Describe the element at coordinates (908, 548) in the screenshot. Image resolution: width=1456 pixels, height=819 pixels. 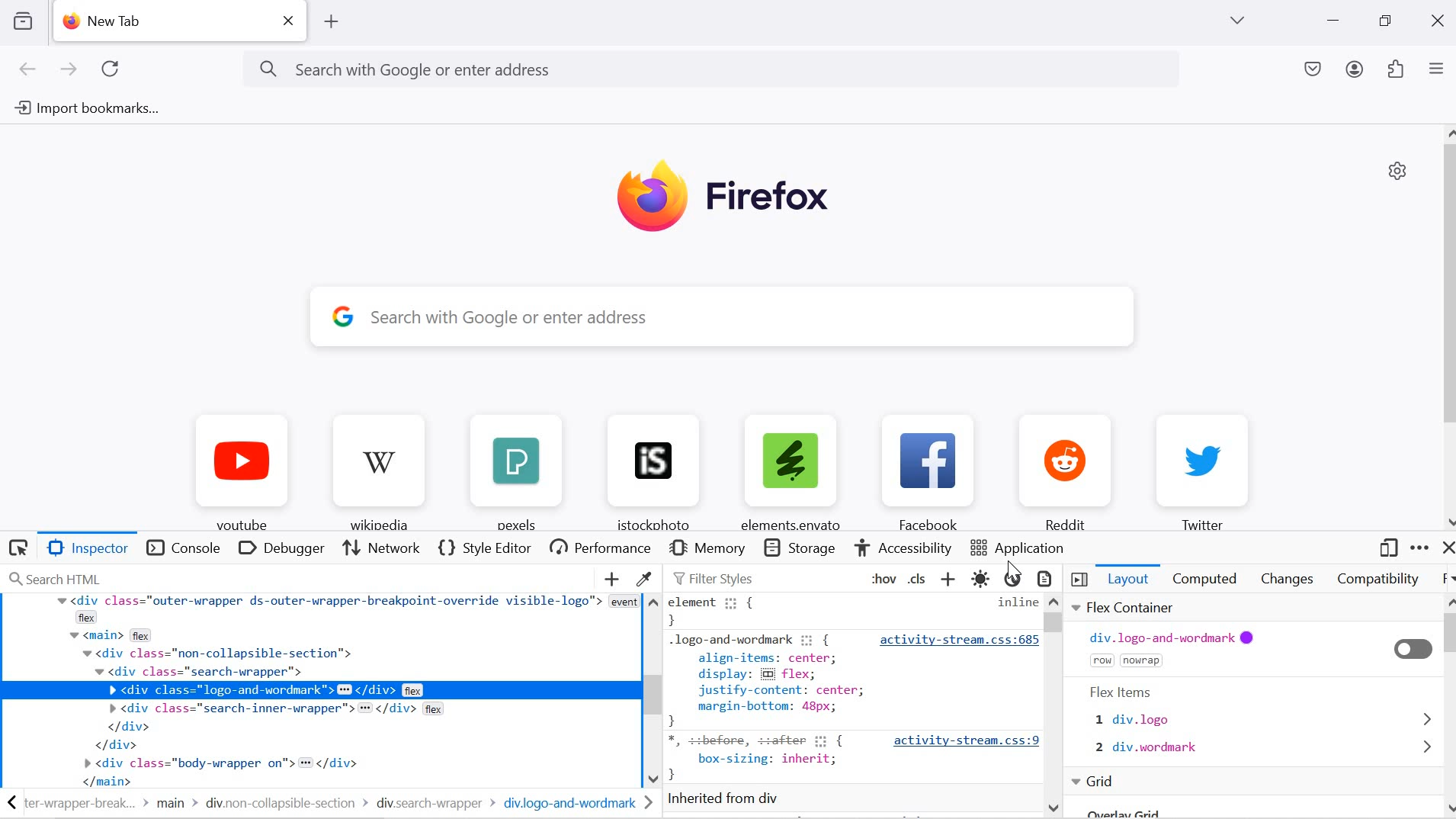
I see `accessibility` at that location.